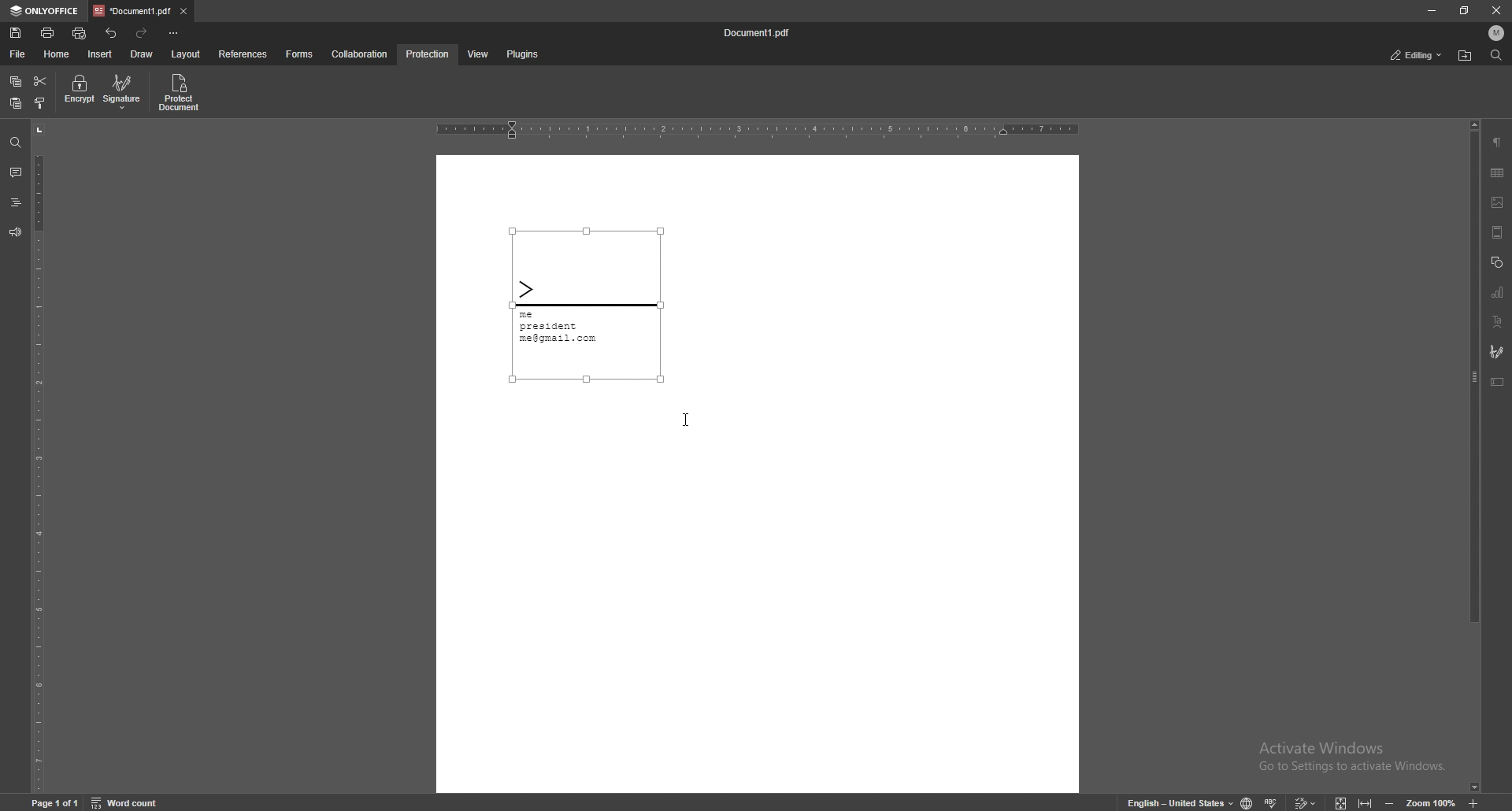 The width and height of the screenshot is (1512, 811). Describe the element at coordinates (1497, 232) in the screenshot. I see `header and footer` at that location.